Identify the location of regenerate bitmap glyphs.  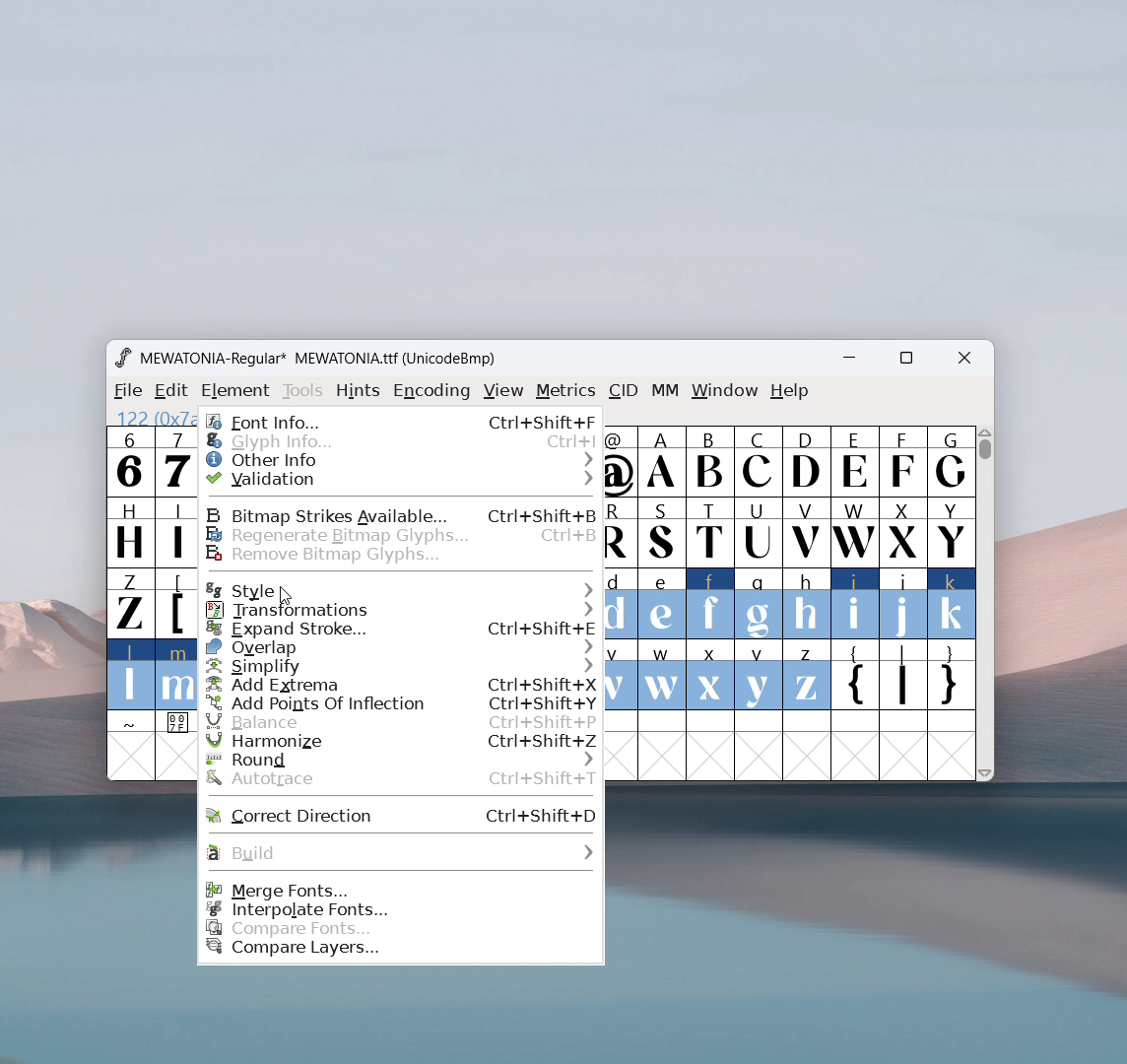
(401, 534).